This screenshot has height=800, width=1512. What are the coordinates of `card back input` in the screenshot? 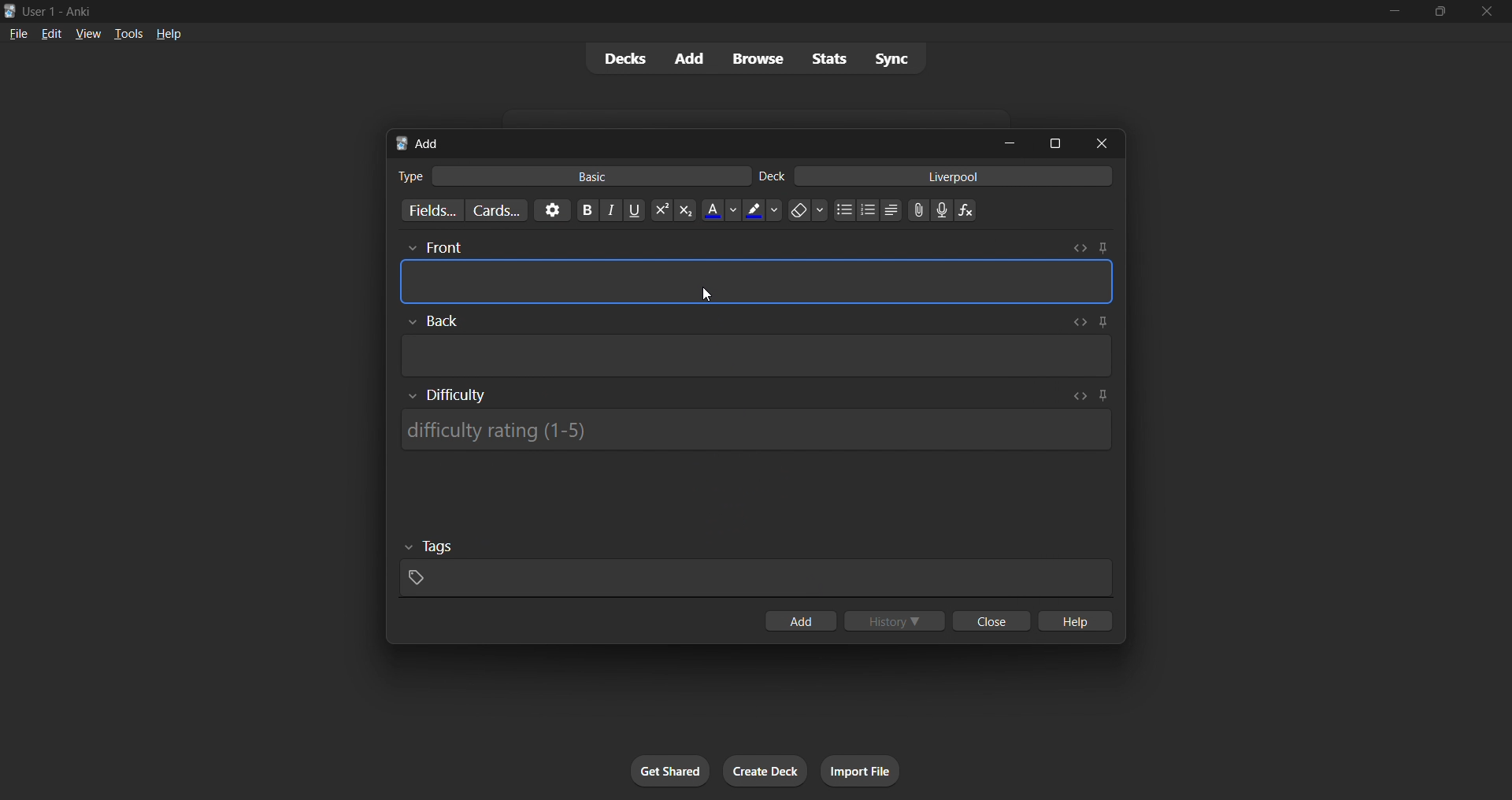 It's located at (758, 356).